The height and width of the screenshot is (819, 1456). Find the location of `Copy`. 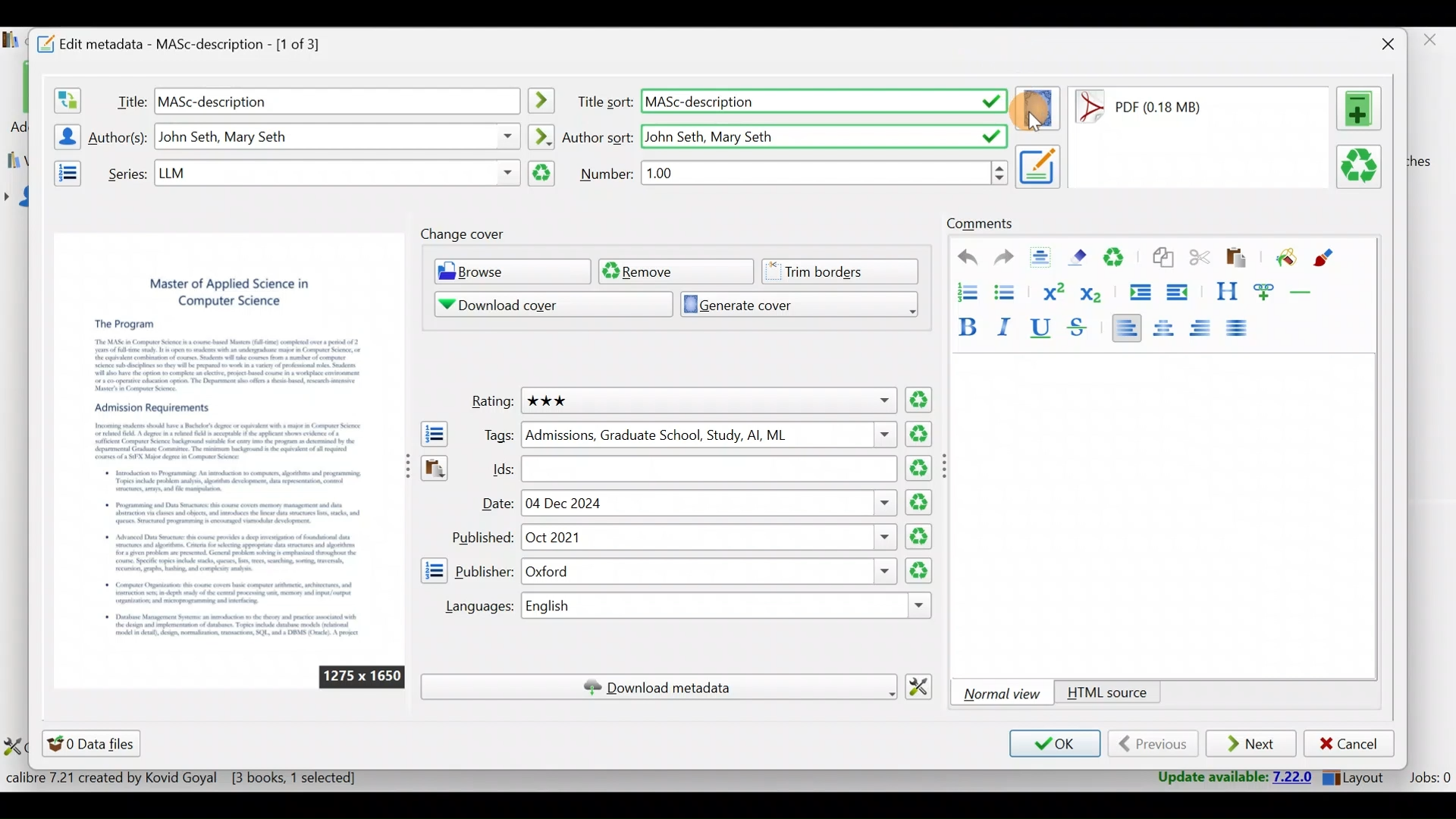

Copy is located at coordinates (1162, 259).